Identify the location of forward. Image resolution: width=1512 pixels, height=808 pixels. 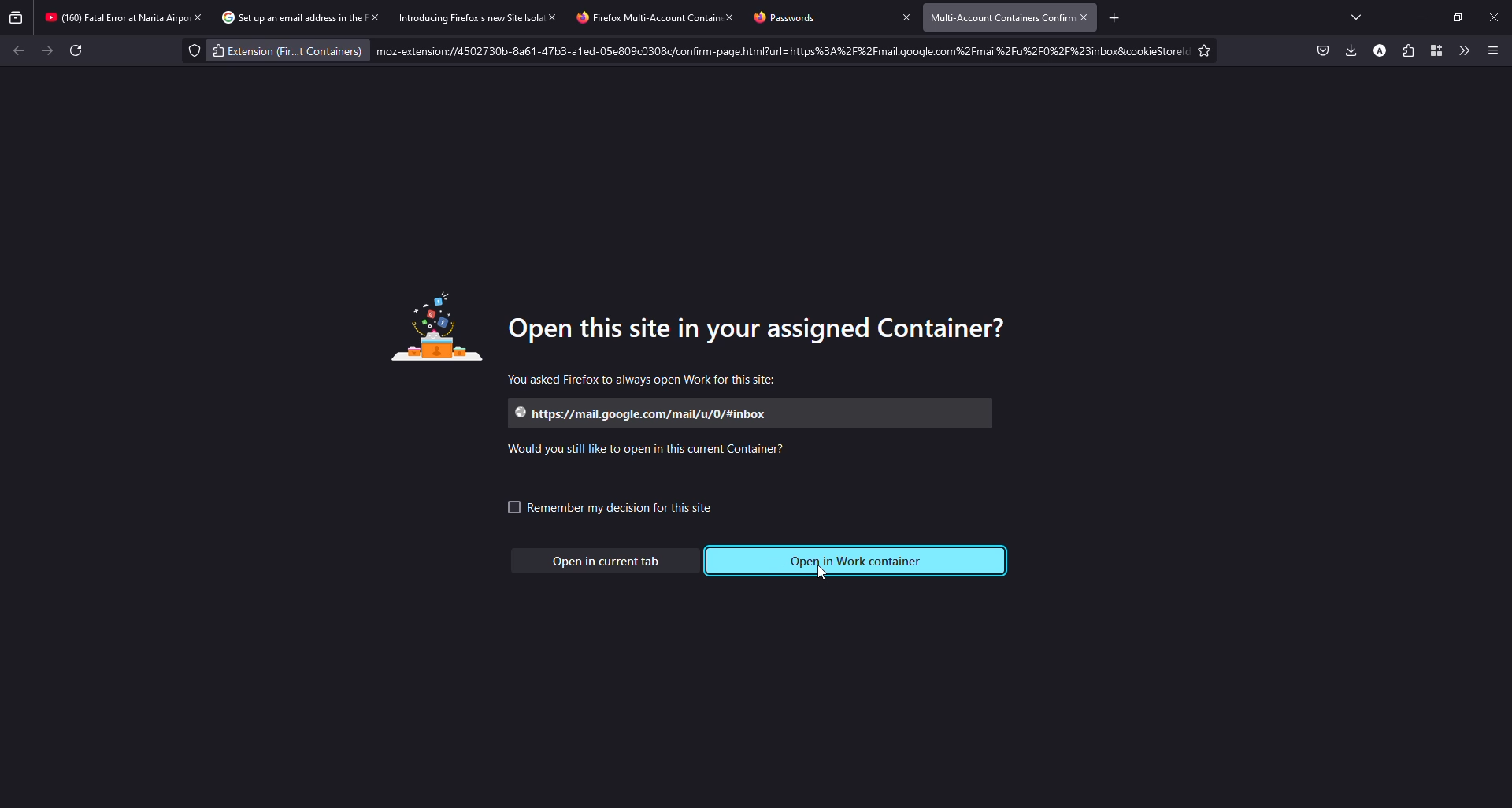
(48, 50).